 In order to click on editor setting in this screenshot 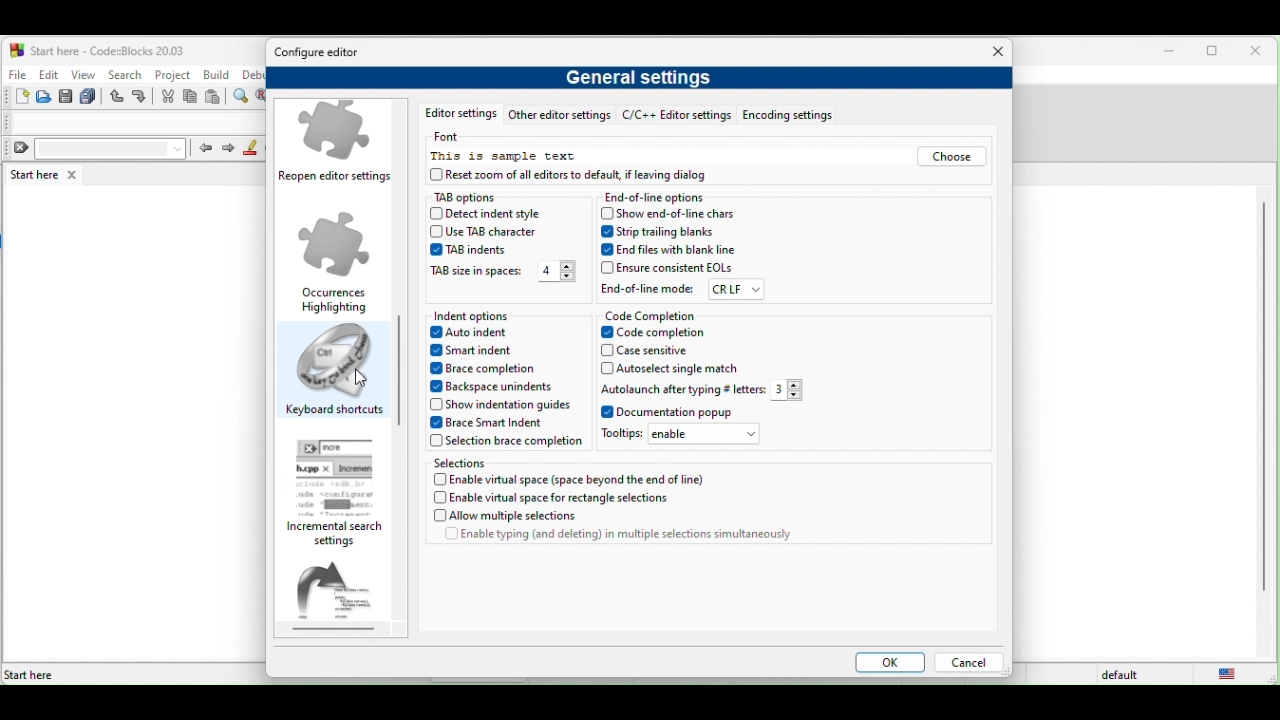, I will do `click(456, 115)`.